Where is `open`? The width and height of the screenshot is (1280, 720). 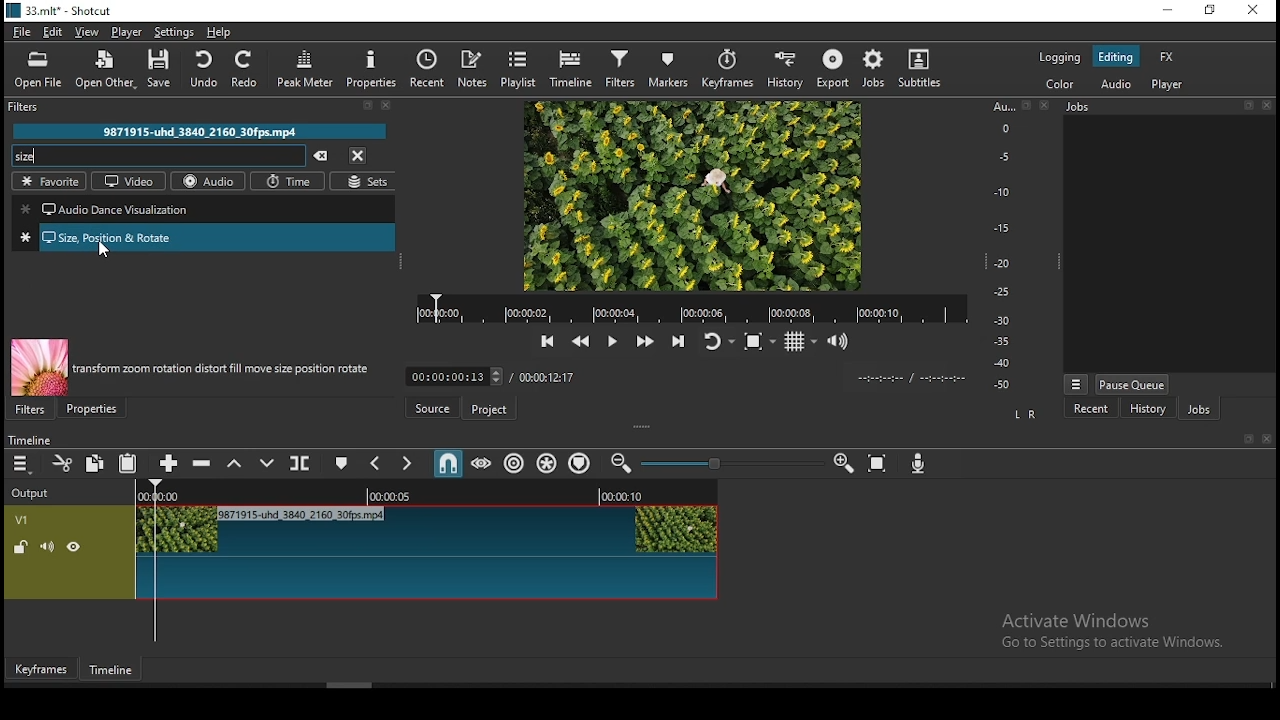
open is located at coordinates (40, 72).